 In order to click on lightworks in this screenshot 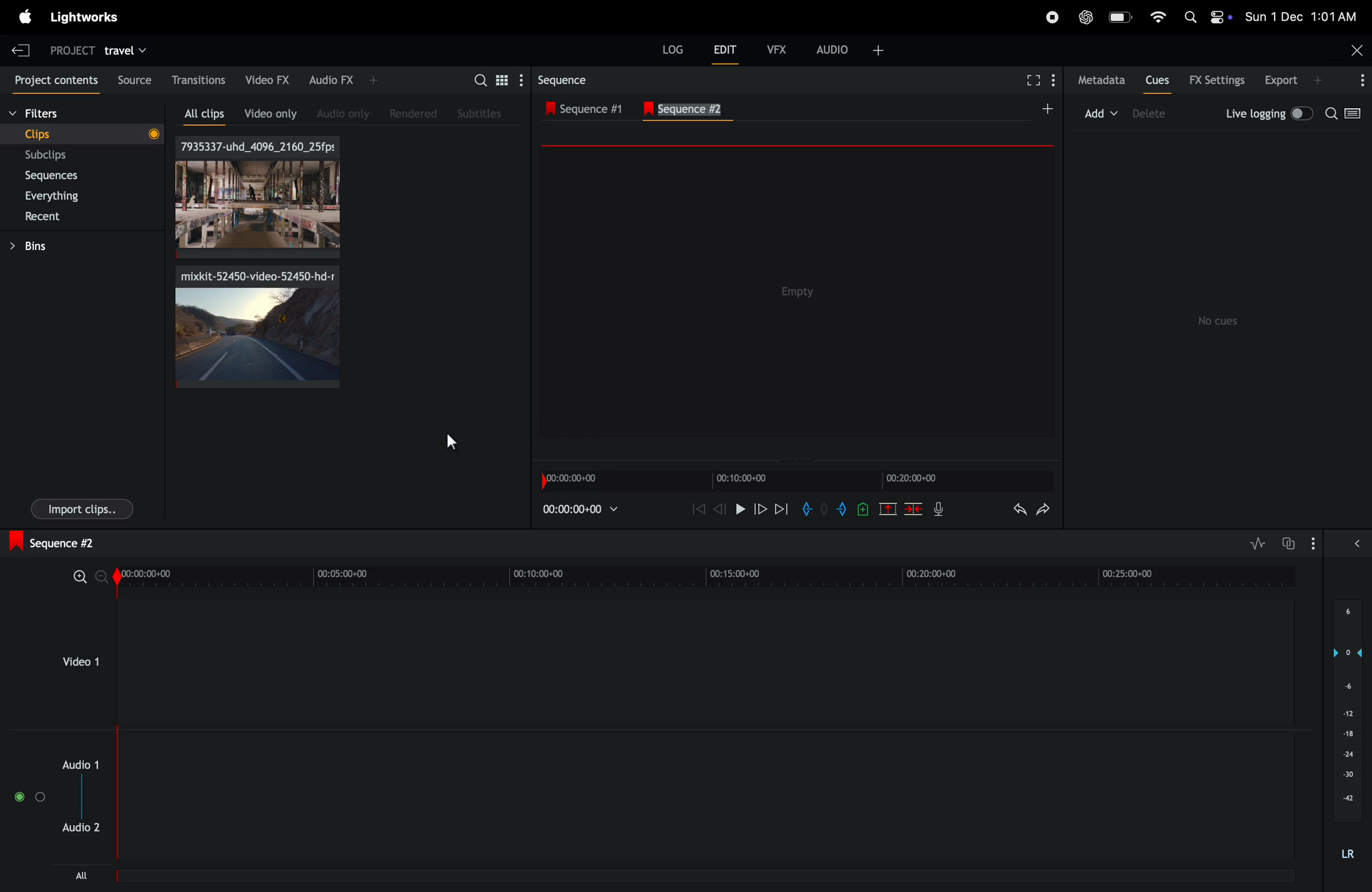, I will do `click(92, 17)`.